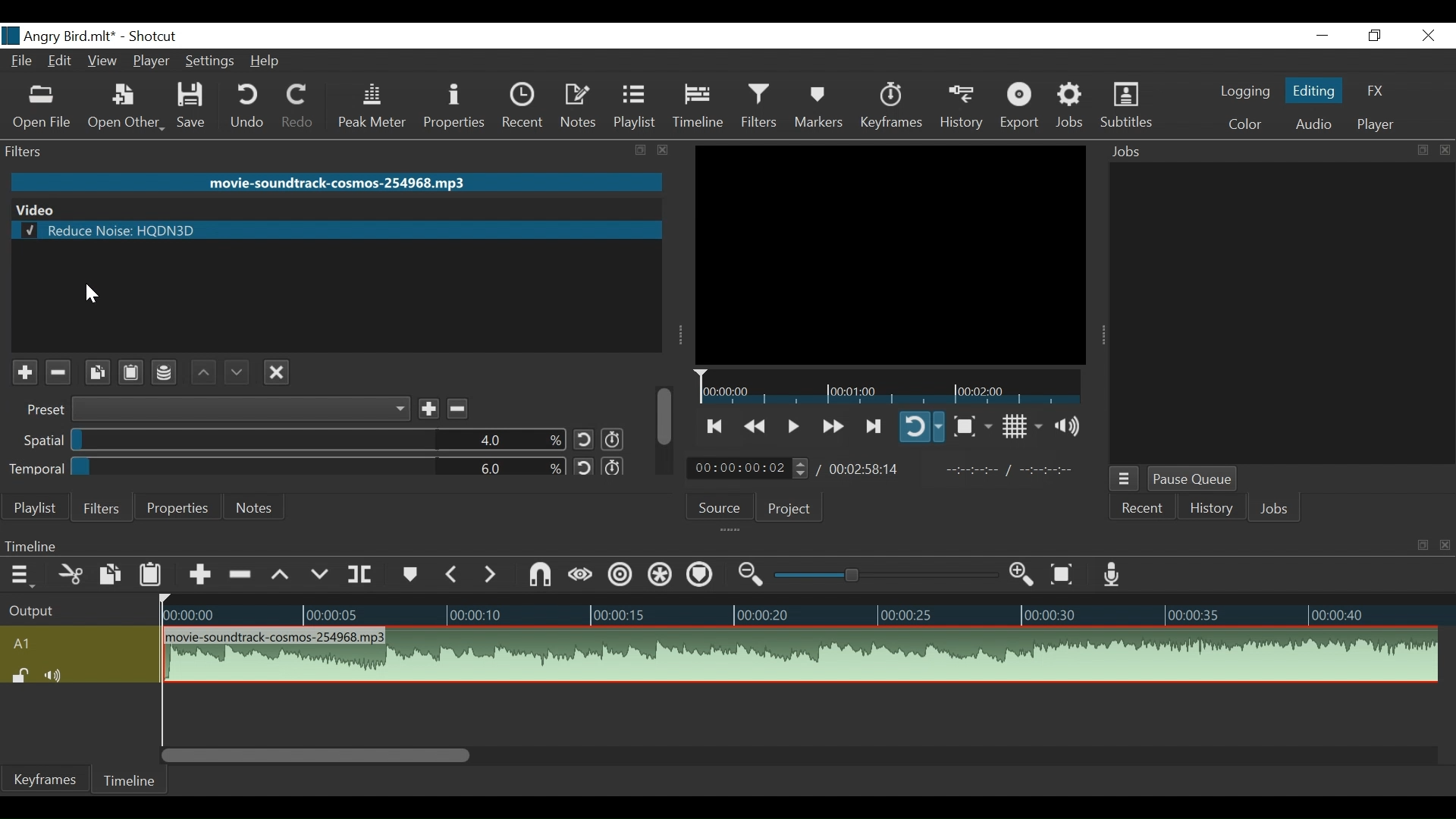  What do you see at coordinates (972, 425) in the screenshot?
I see `Toggle Zoom` at bounding box center [972, 425].